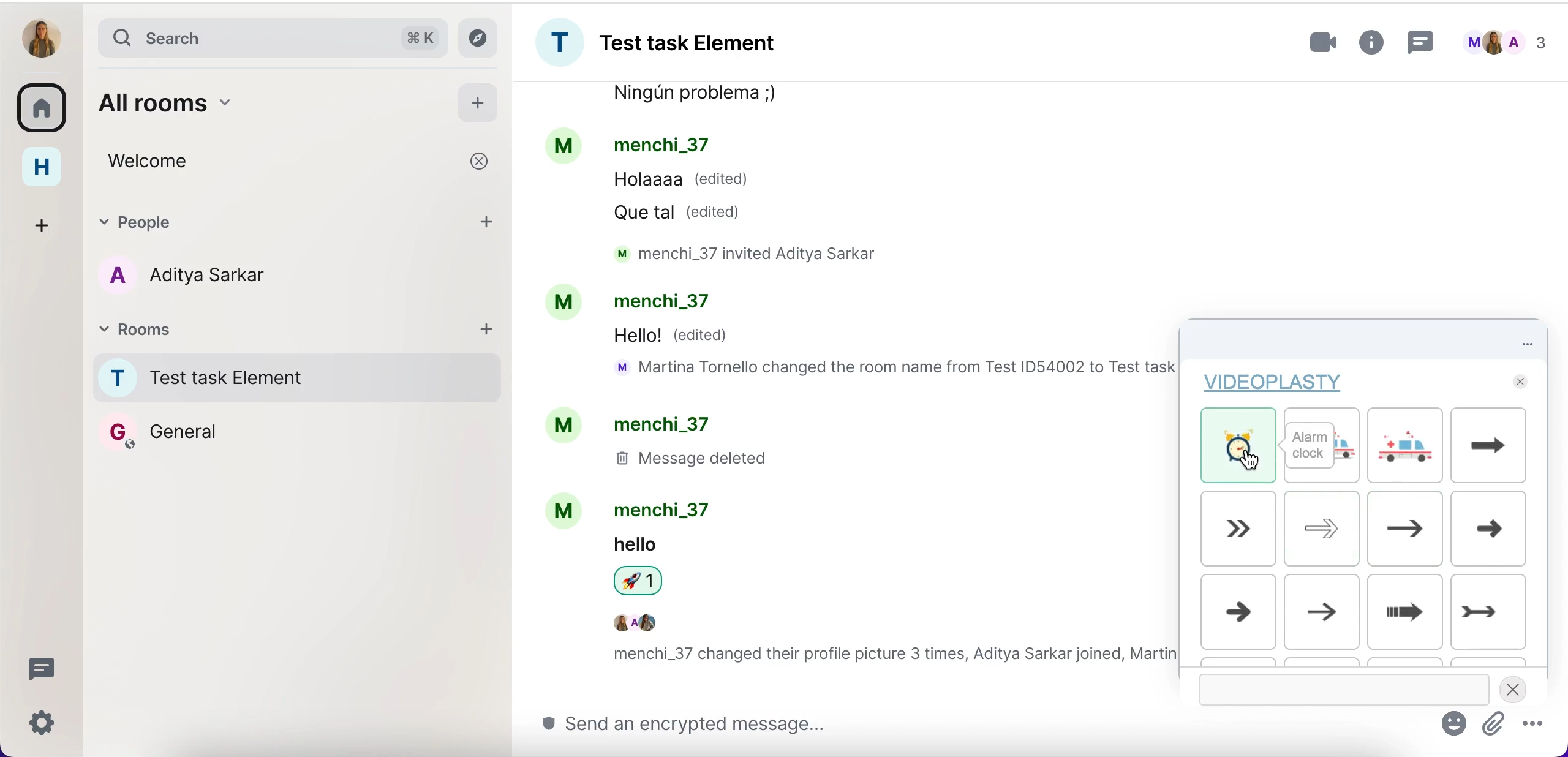  Describe the element at coordinates (1404, 446) in the screenshot. I see `gif3` at that location.